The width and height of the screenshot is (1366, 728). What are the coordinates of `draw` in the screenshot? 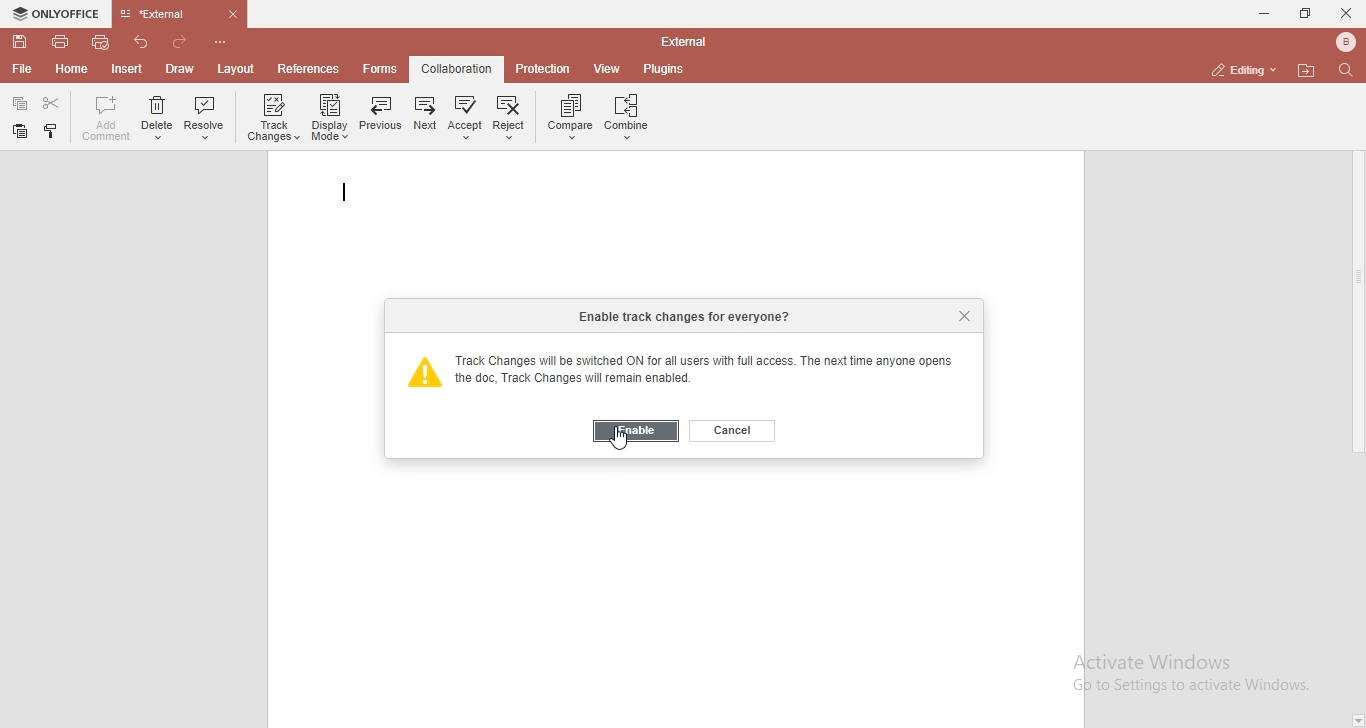 It's located at (181, 68).